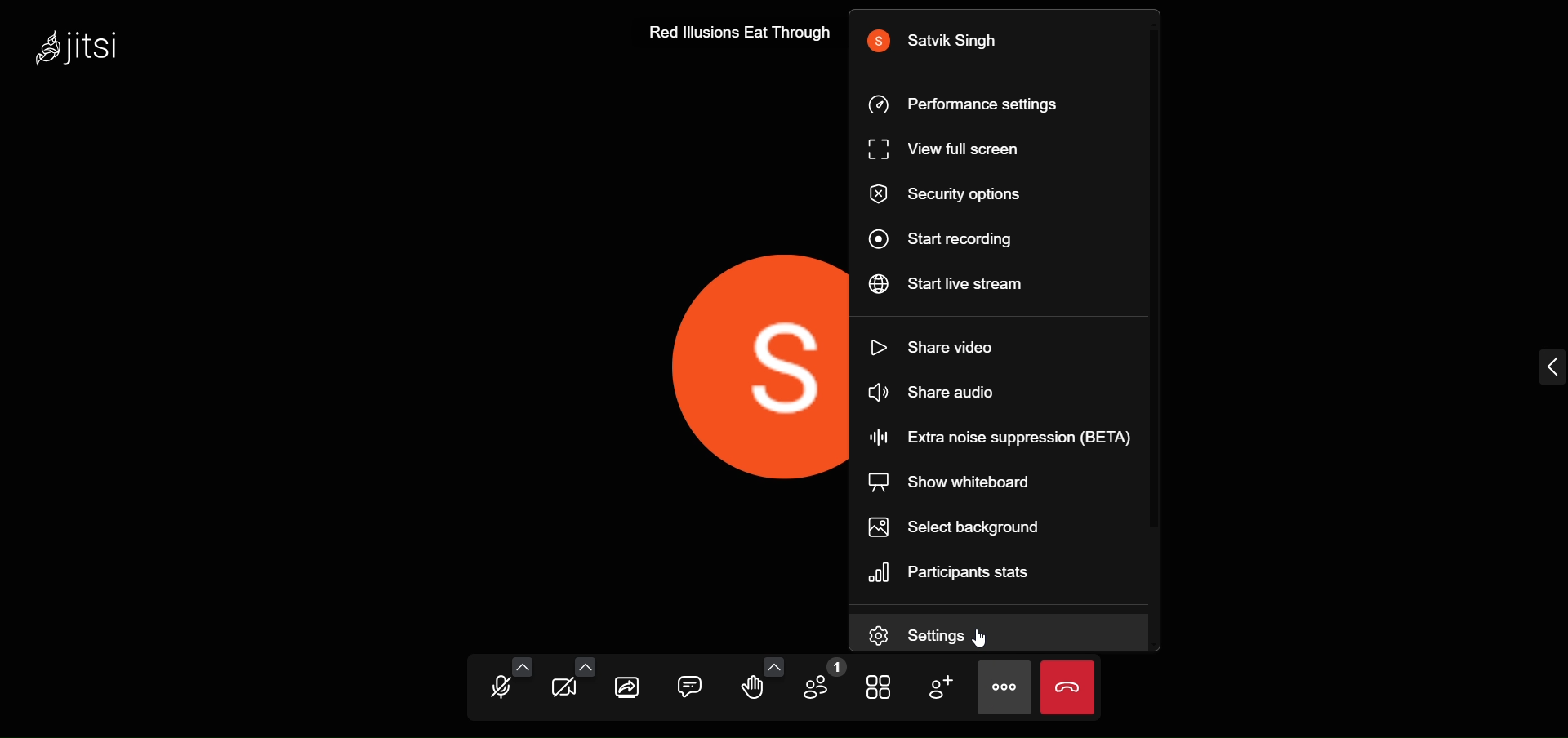 This screenshot has height=738, width=1568. What do you see at coordinates (941, 240) in the screenshot?
I see `start recording` at bounding box center [941, 240].